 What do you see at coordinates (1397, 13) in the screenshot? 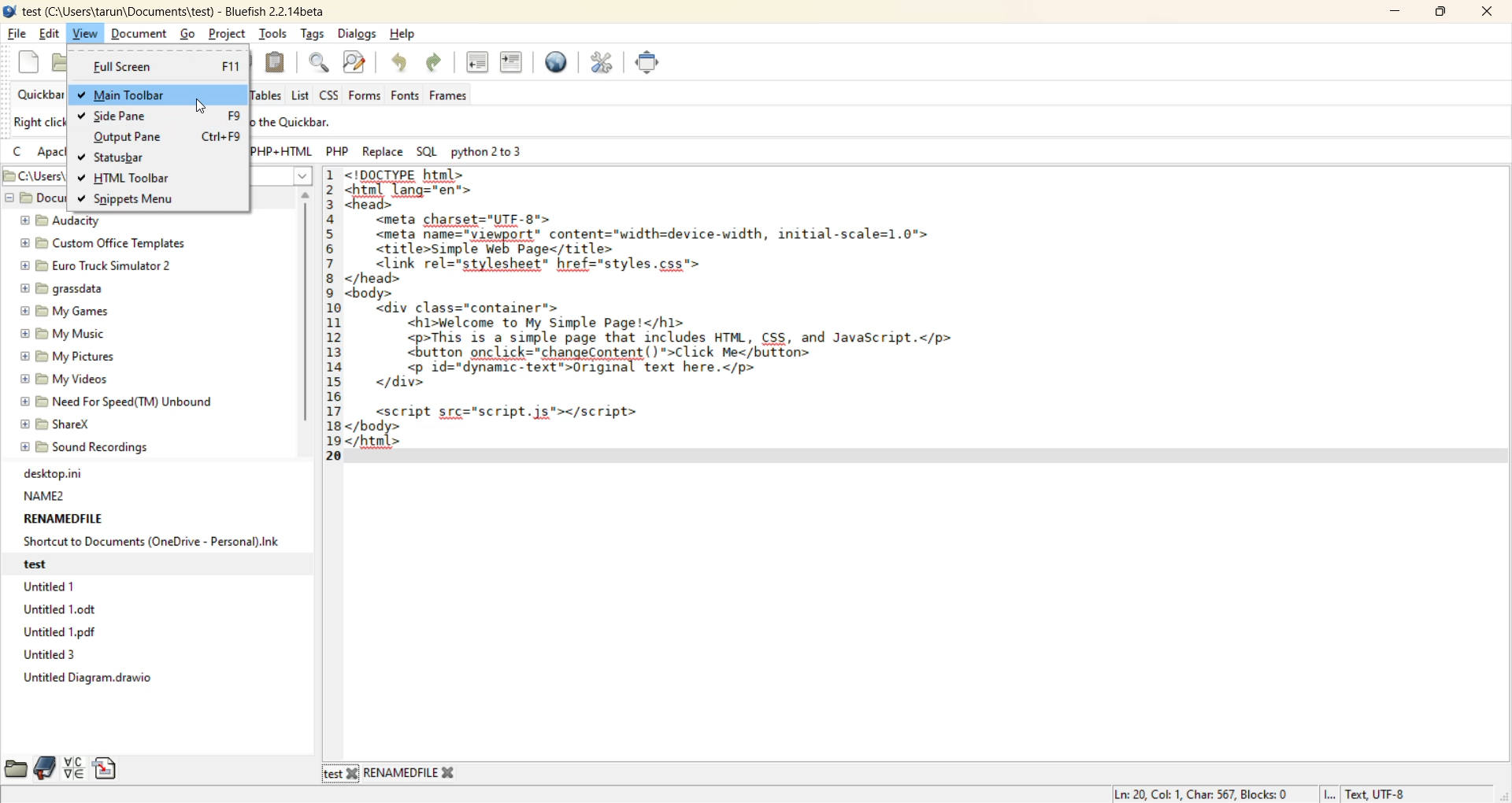
I see `minimize` at bounding box center [1397, 13].